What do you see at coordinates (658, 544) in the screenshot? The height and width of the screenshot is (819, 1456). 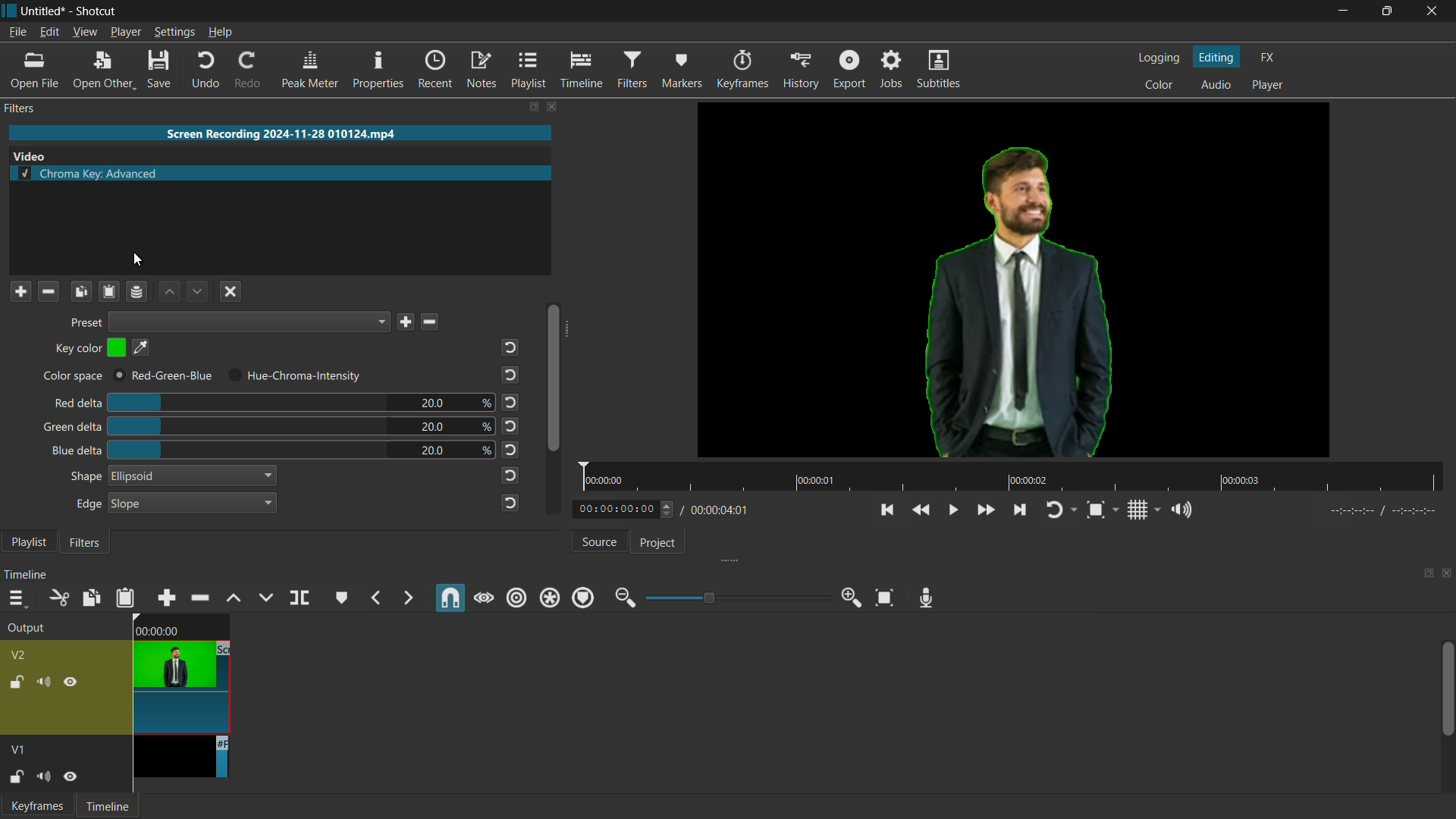 I see `project tab` at bounding box center [658, 544].